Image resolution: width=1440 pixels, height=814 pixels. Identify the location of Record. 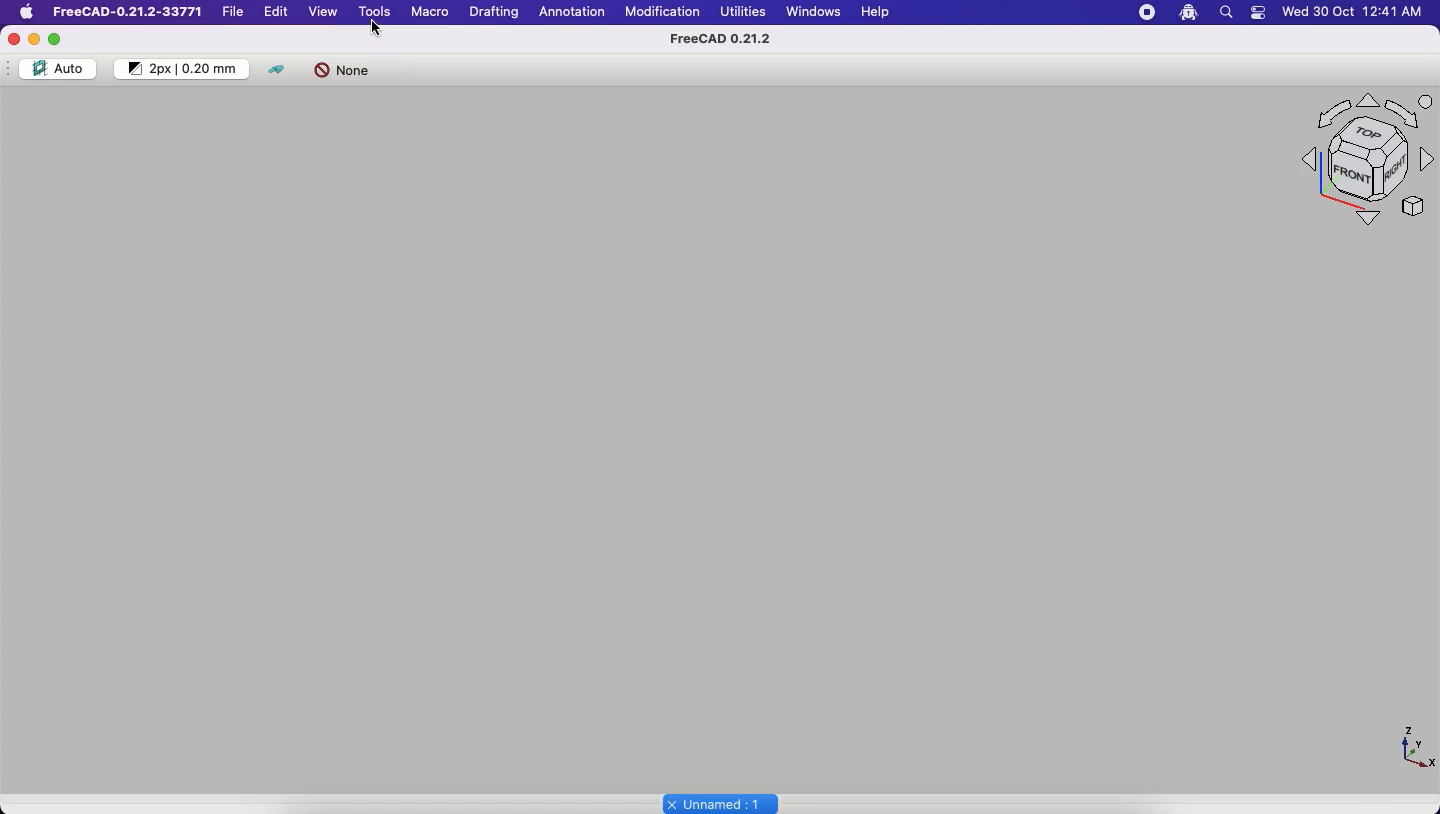
(1144, 13).